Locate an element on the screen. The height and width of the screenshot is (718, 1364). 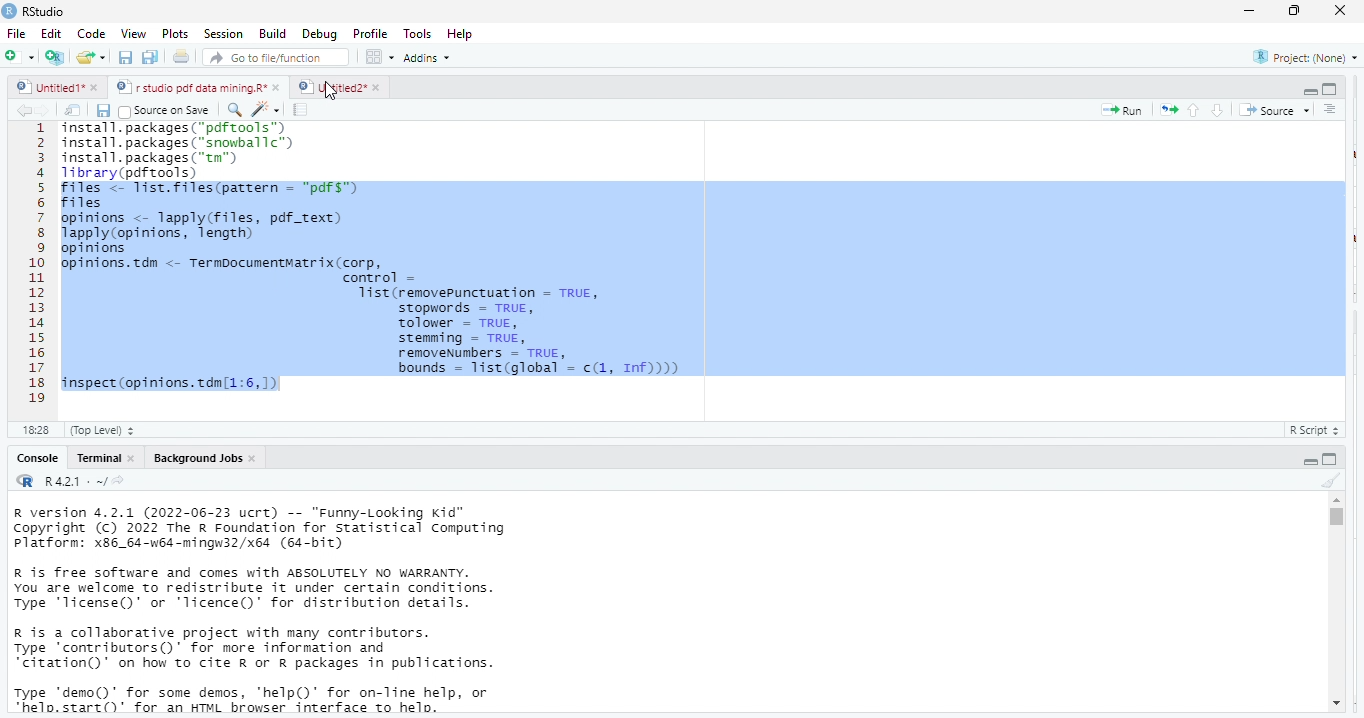
rs studio is located at coordinates (26, 482).